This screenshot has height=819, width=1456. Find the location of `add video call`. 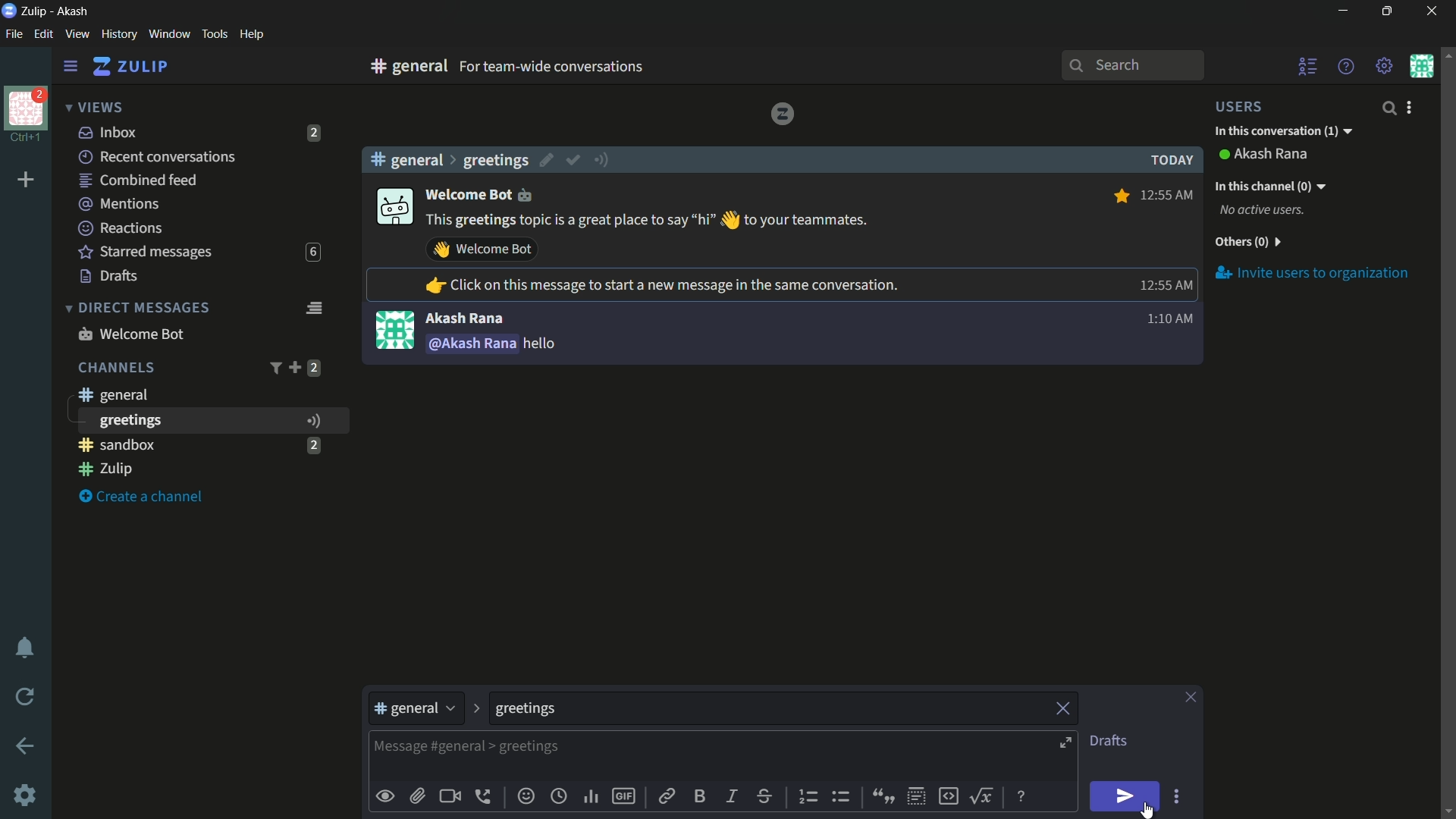

add video call is located at coordinates (450, 796).